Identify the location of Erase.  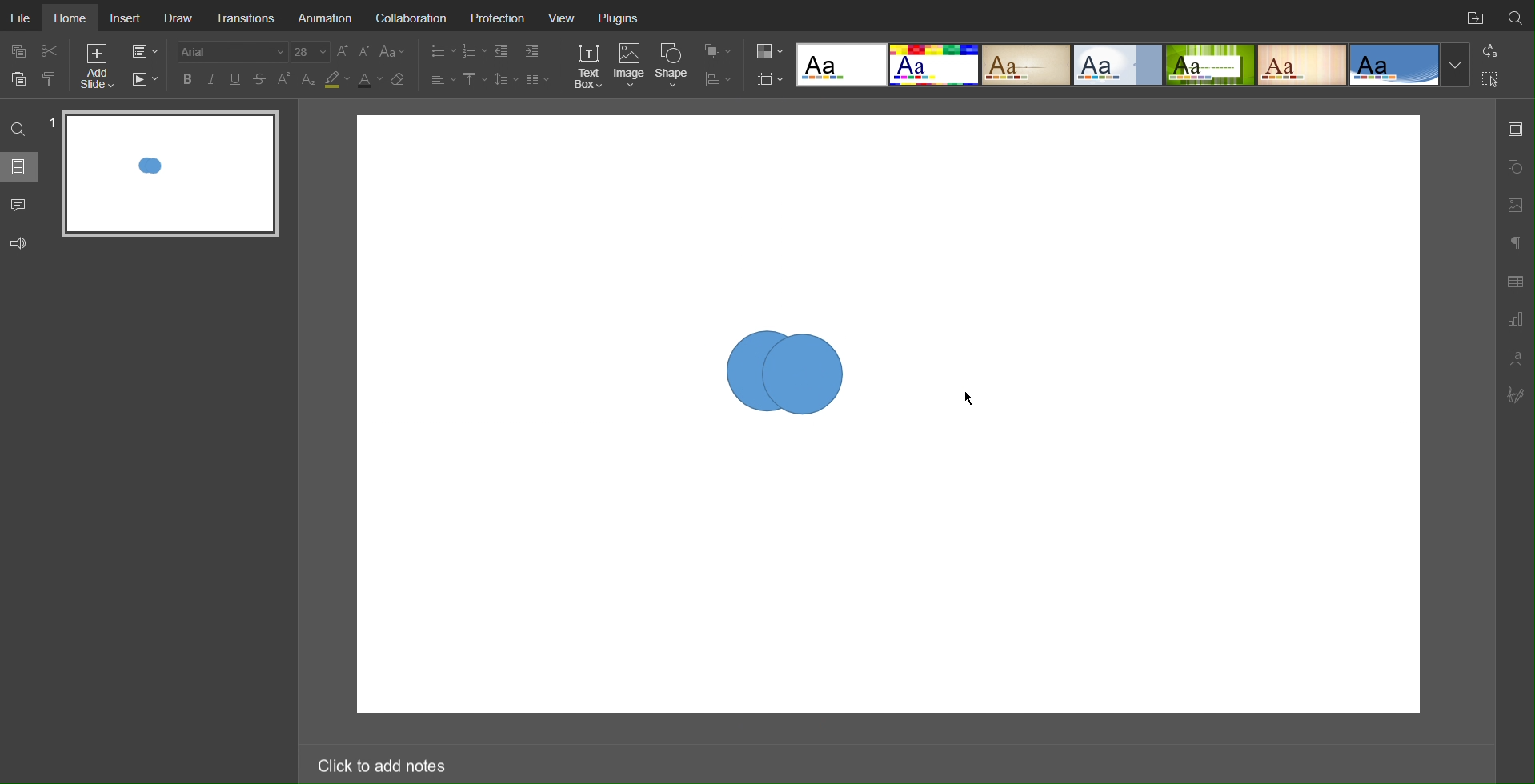
(401, 80).